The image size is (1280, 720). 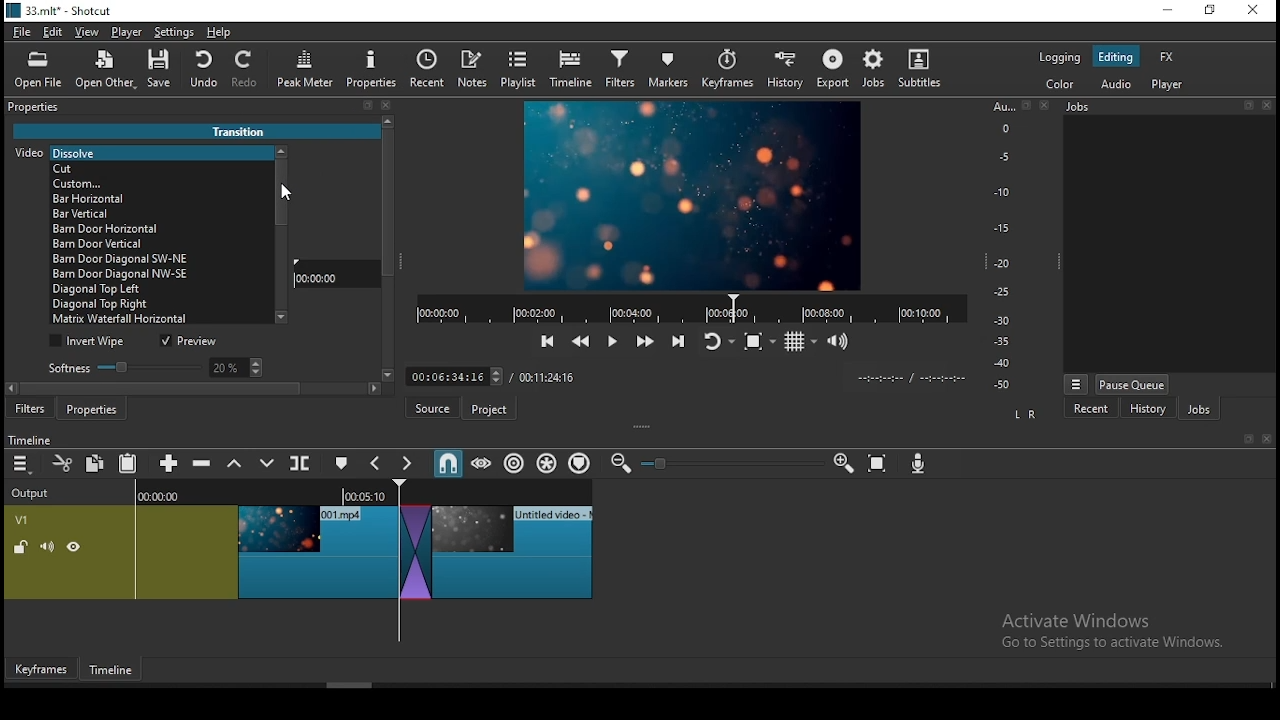 I want to click on transition option, so click(x=159, y=259).